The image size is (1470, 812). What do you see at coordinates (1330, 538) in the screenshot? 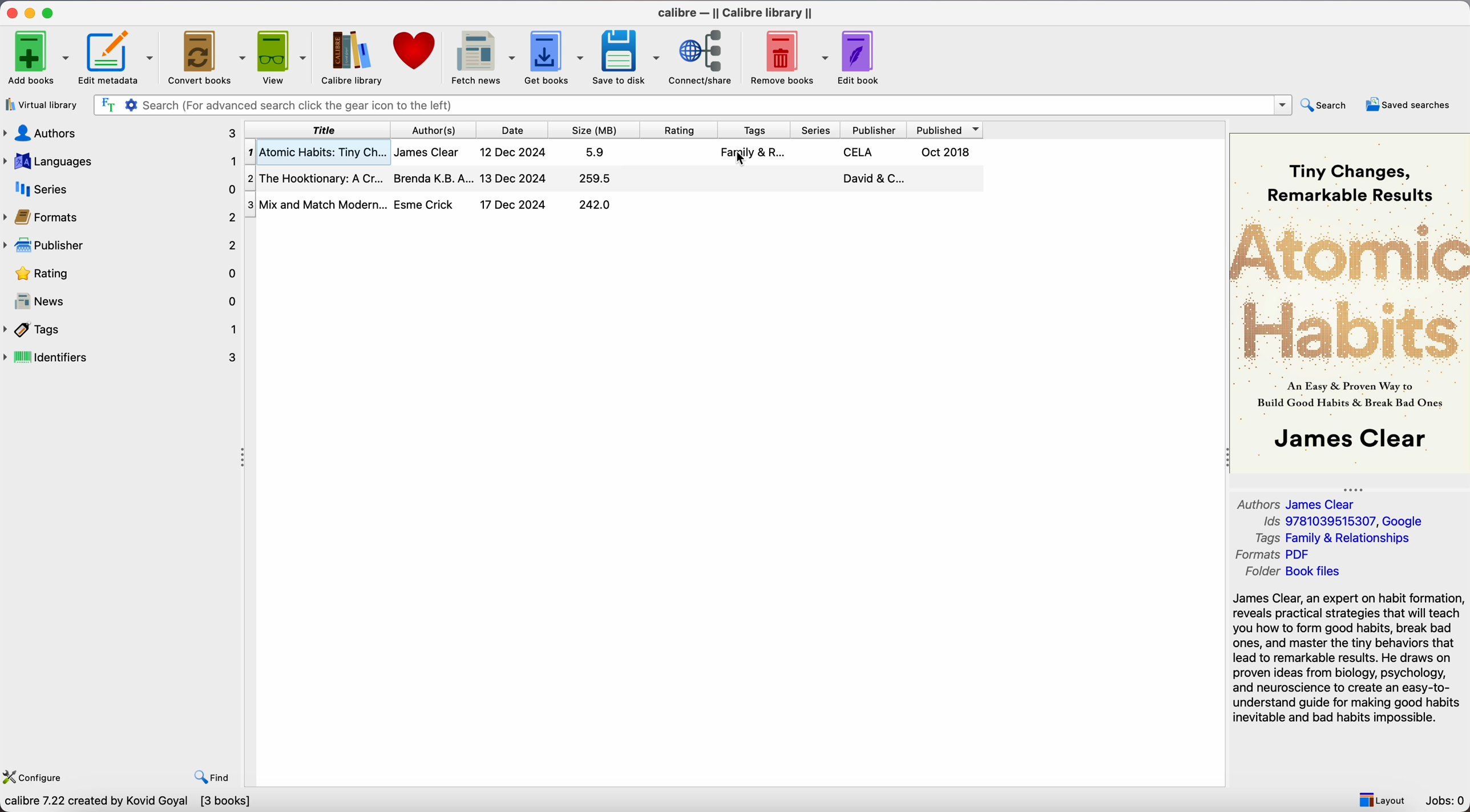
I see `Tags Family & Relationships` at bounding box center [1330, 538].